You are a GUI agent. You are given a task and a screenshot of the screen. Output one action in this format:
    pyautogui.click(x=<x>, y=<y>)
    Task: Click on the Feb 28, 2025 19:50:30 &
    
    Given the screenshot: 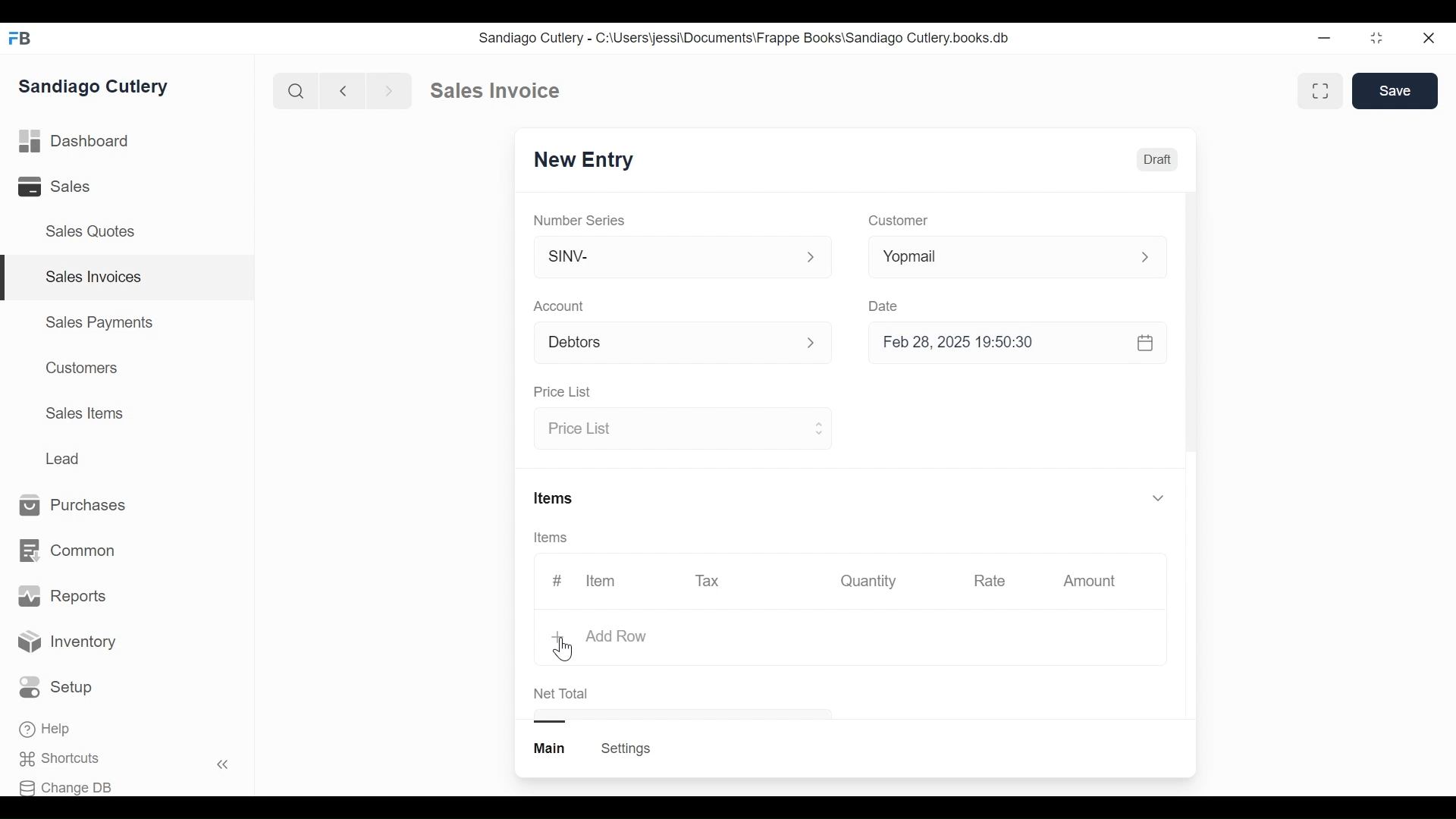 What is the action you would take?
    pyautogui.click(x=1021, y=344)
    